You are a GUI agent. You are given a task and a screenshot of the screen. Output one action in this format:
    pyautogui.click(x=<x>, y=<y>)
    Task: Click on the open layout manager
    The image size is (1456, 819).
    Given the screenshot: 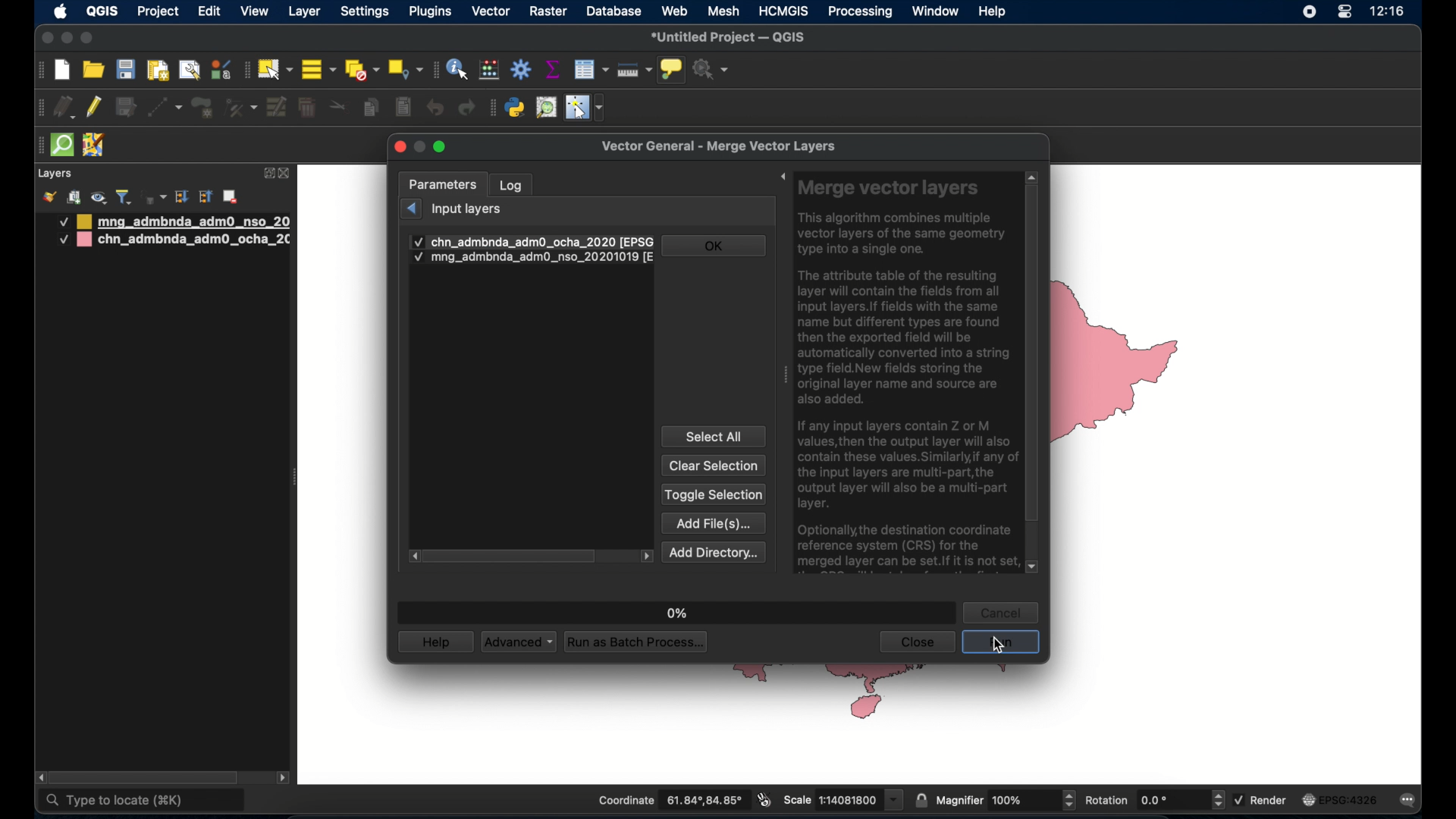 What is the action you would take?
    pyautogui.click(x=189, y=70)
    